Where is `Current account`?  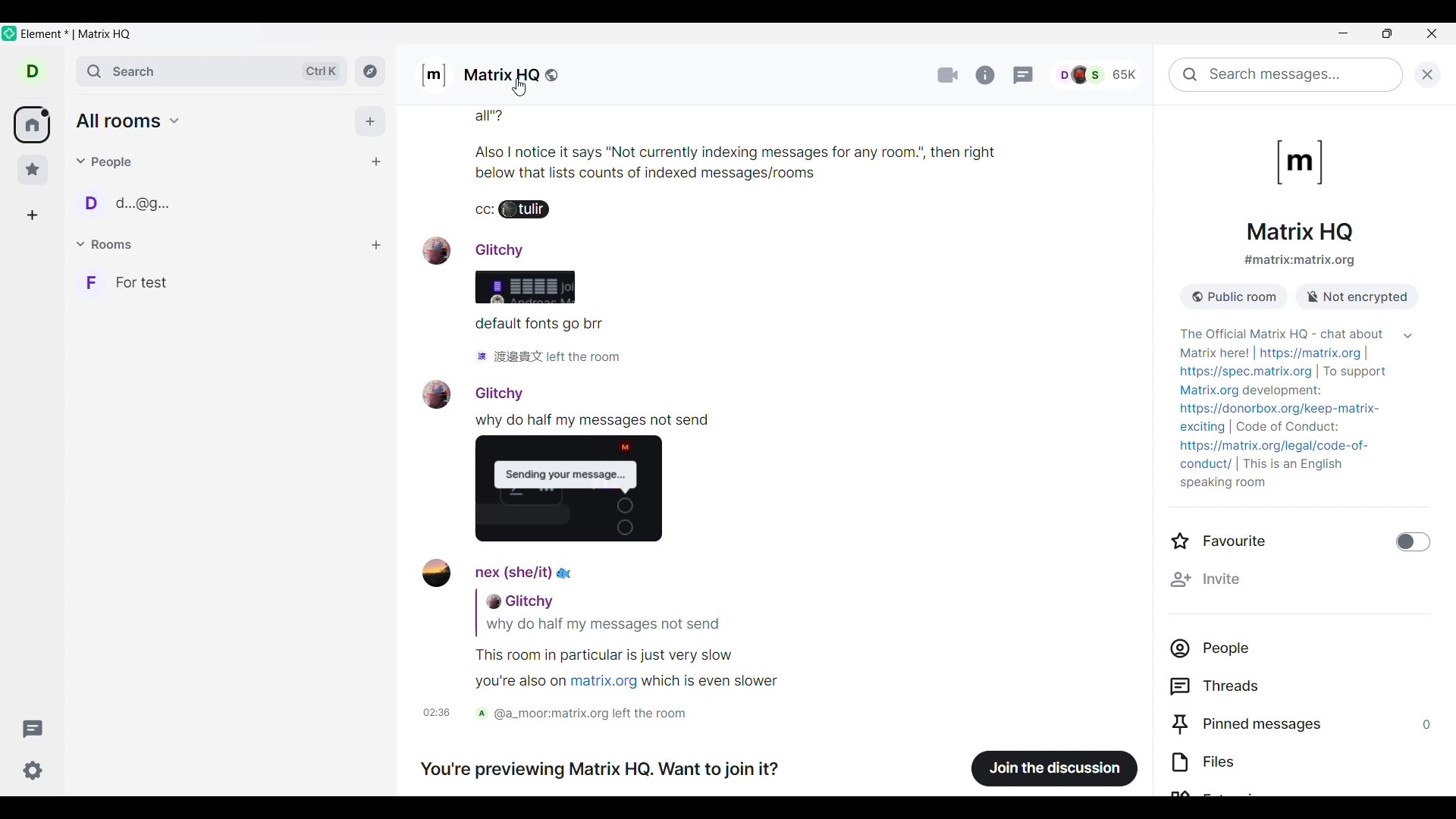
Current account is located at coordinates (33, 71).